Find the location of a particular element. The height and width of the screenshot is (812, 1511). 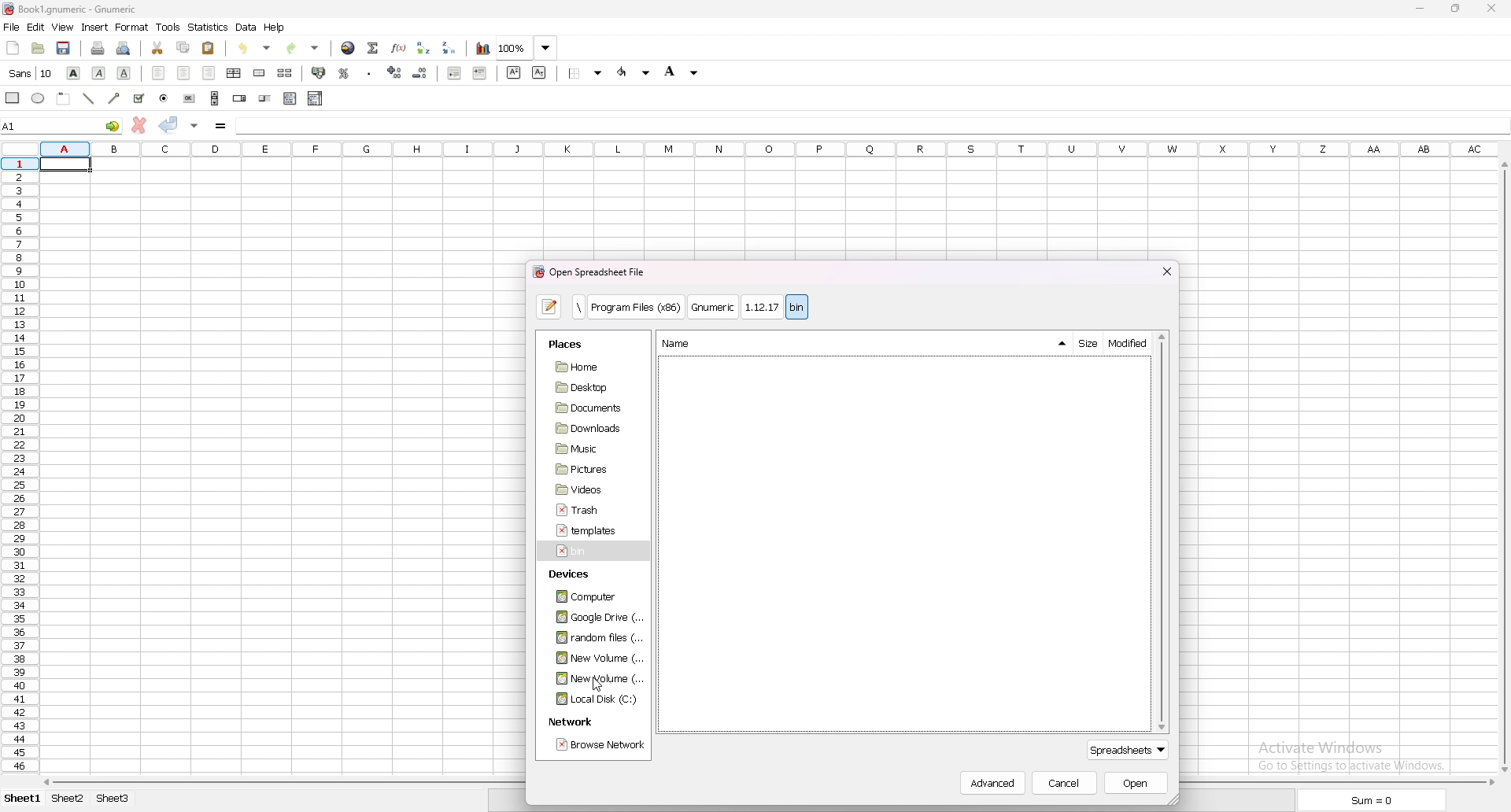

right align is located at coordinates (209, 72).